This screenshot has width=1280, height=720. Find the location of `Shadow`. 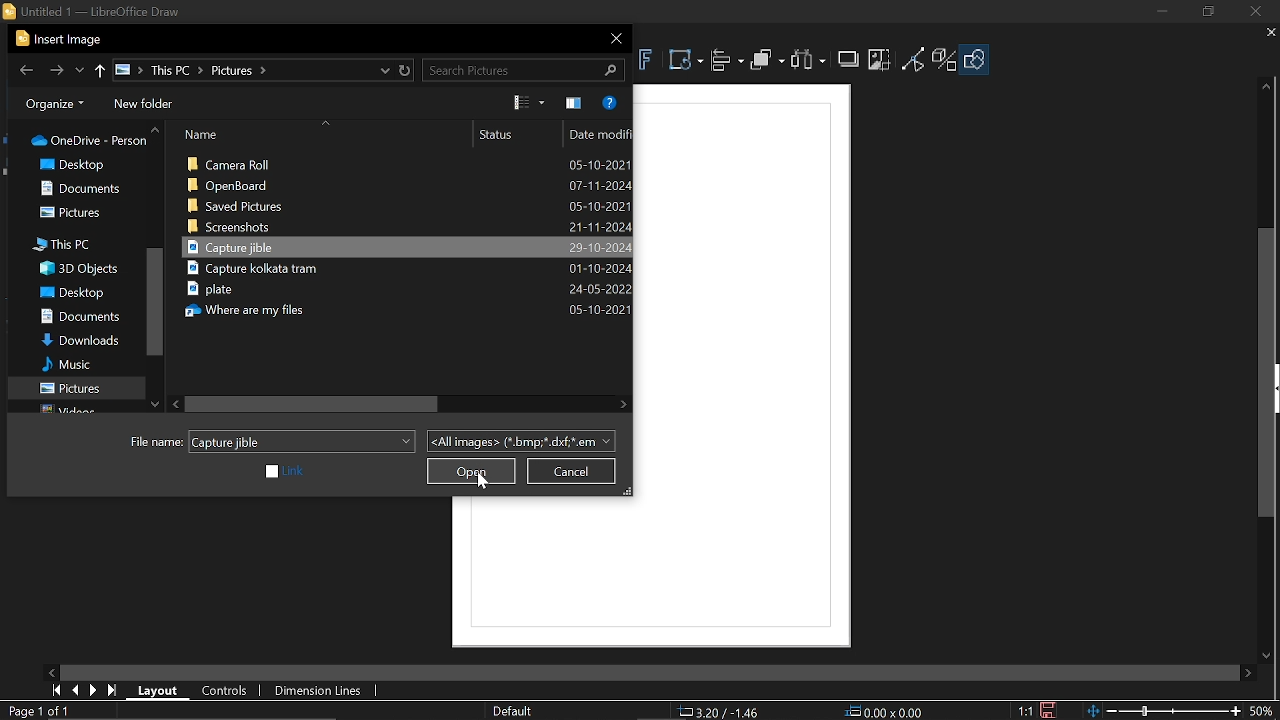

Shadow is located at coordinates (849, 59).